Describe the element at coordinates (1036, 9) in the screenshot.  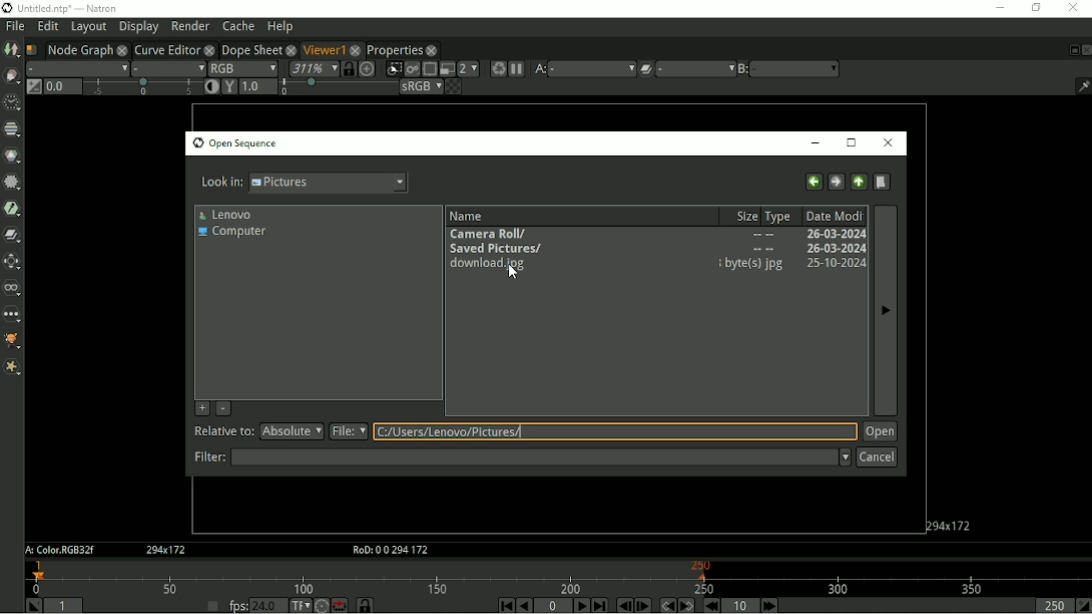
I see `Restore down` at that location.